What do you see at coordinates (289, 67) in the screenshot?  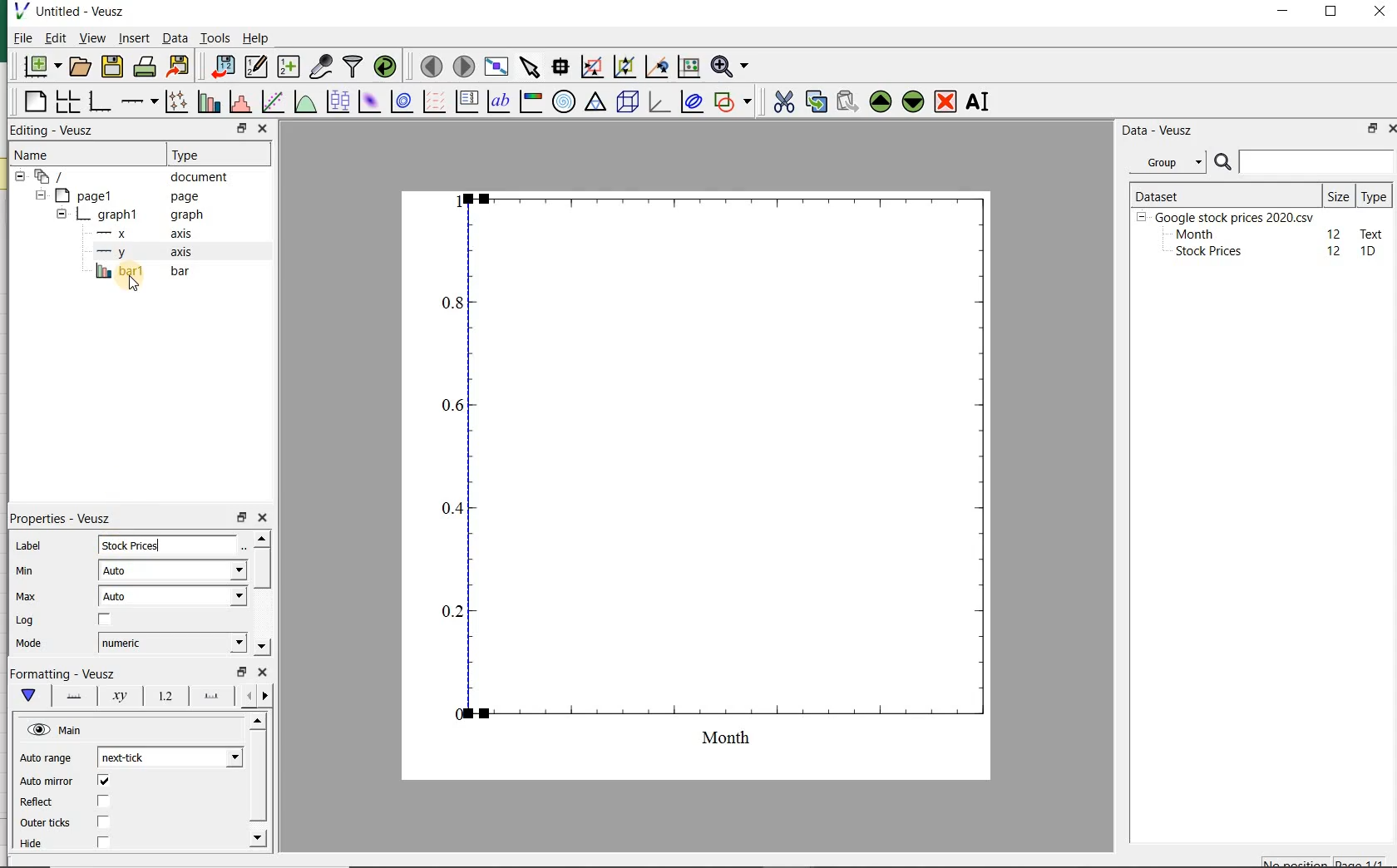 I see `create new datasets` at bounding box center [289, 67].